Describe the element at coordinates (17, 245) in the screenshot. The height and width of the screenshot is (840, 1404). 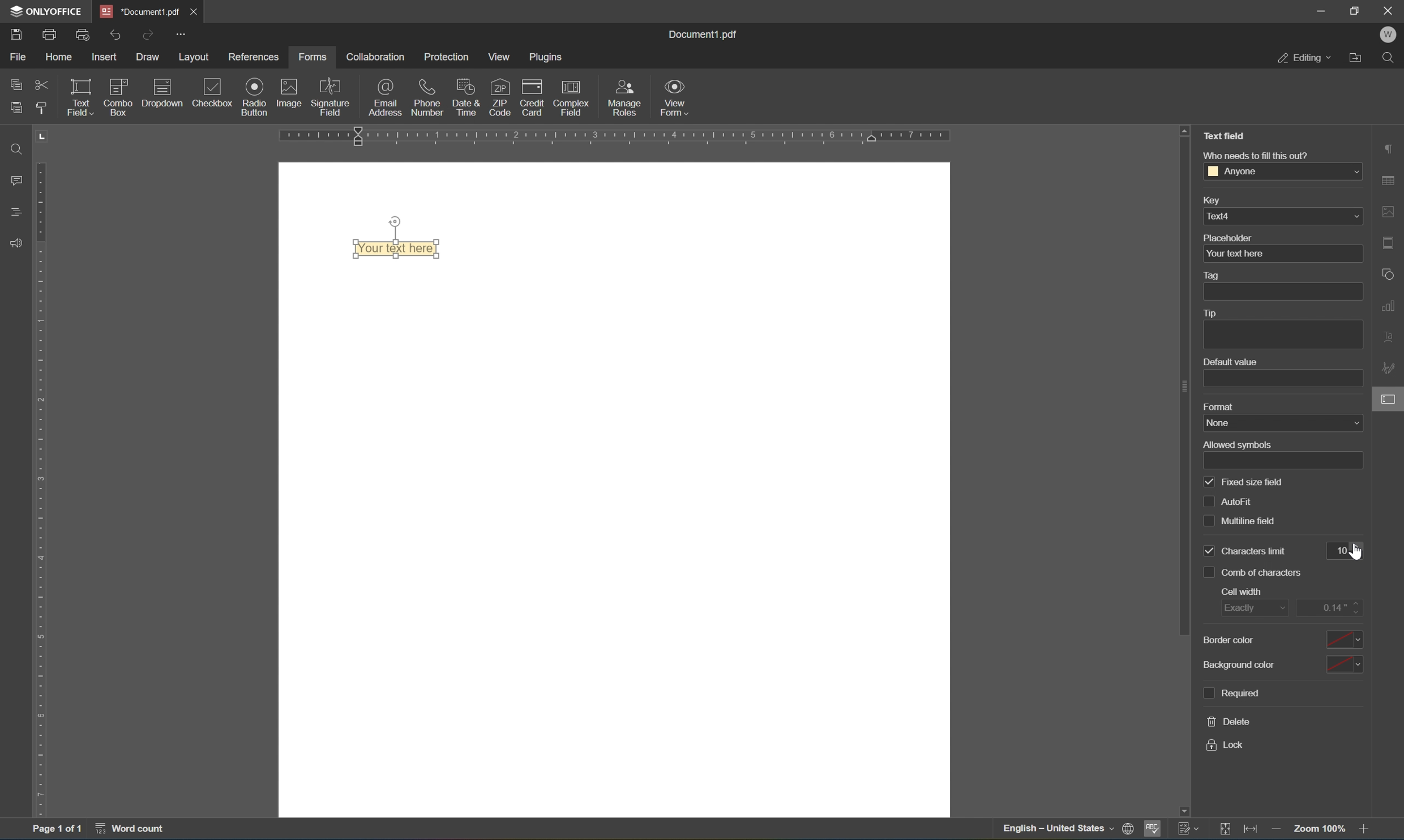
I see `feedback and support` at that location.